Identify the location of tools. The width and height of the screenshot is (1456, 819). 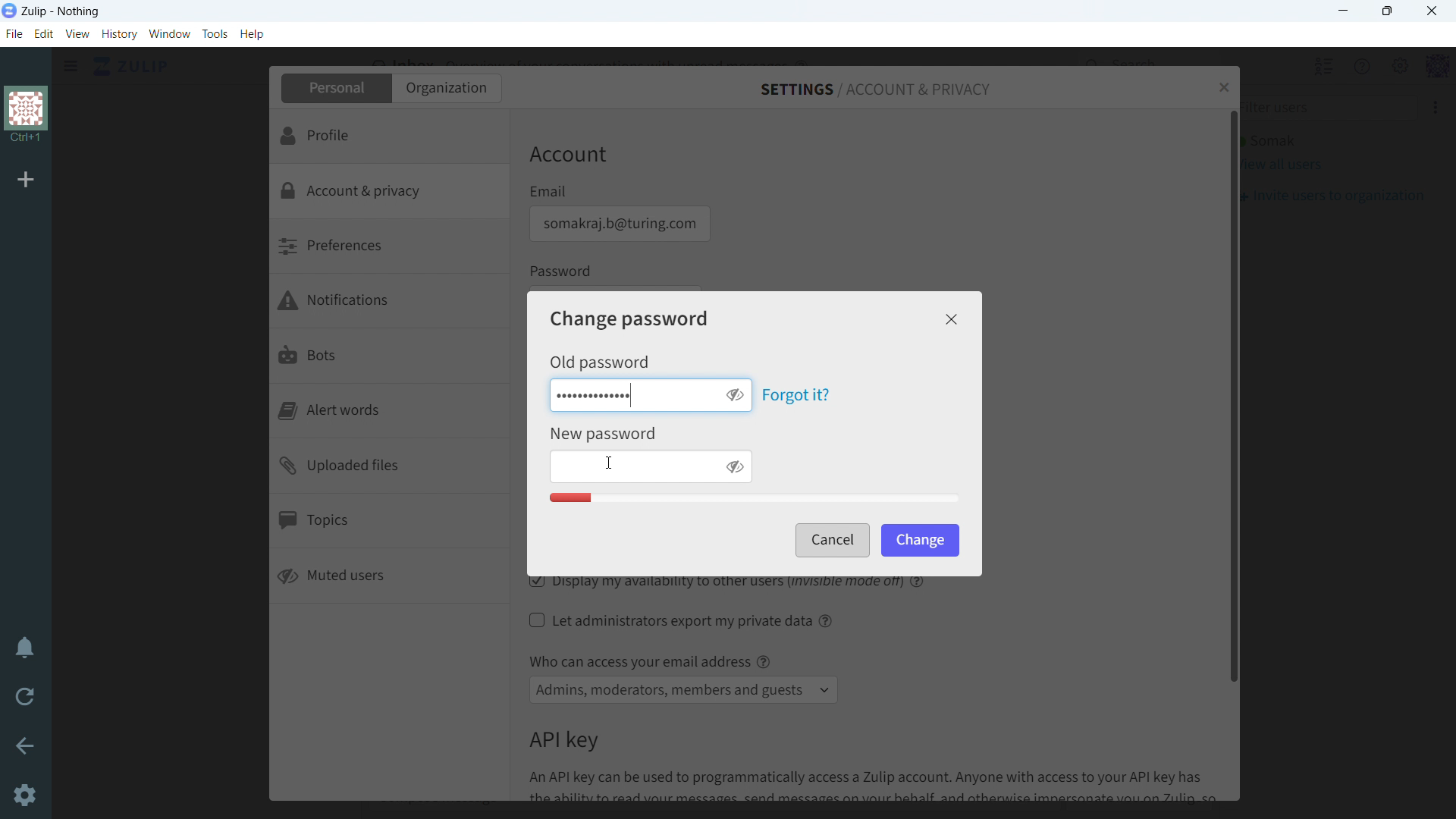
(215, 33).